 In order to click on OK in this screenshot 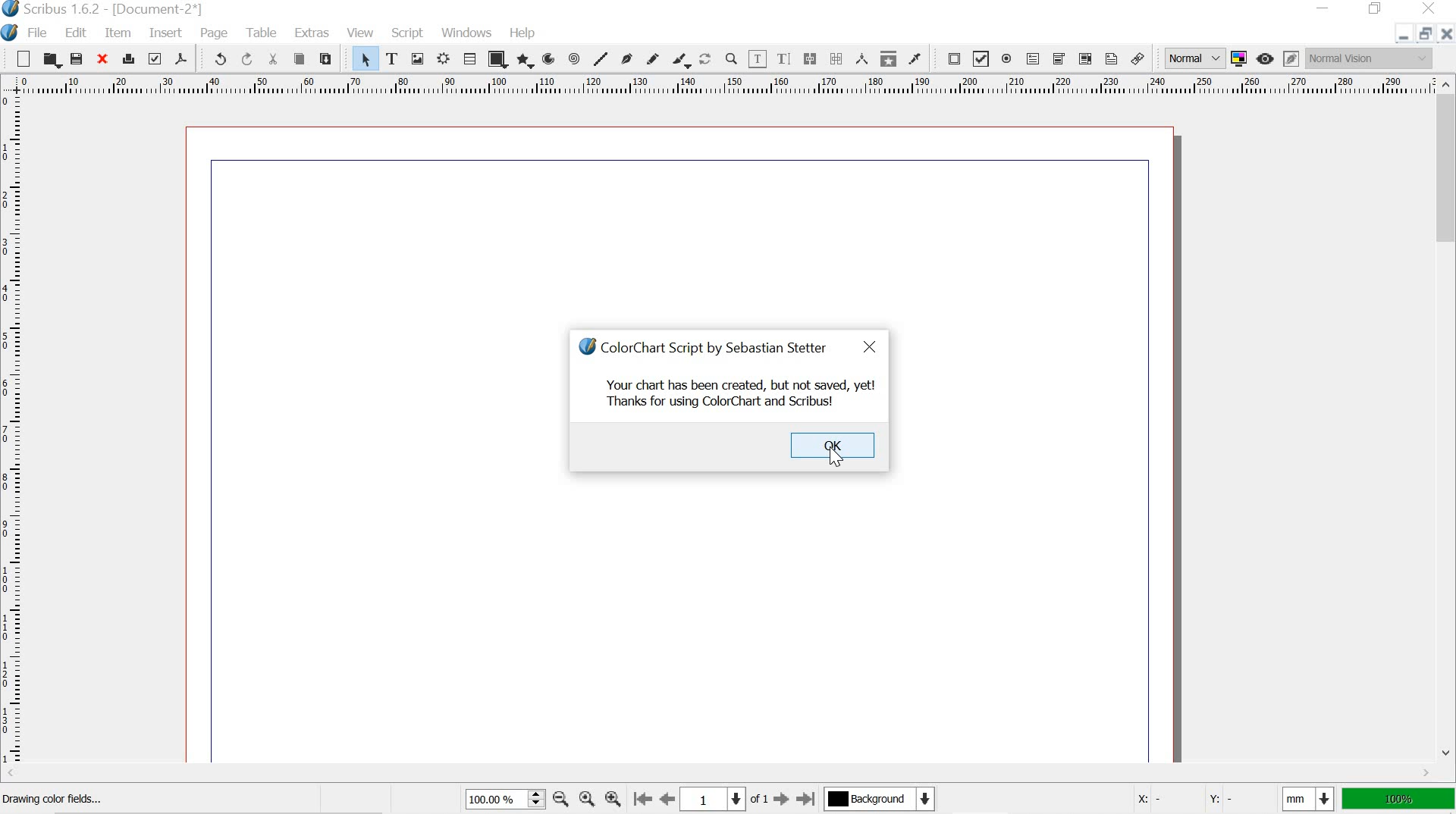, I will do `click(833, 445)`.